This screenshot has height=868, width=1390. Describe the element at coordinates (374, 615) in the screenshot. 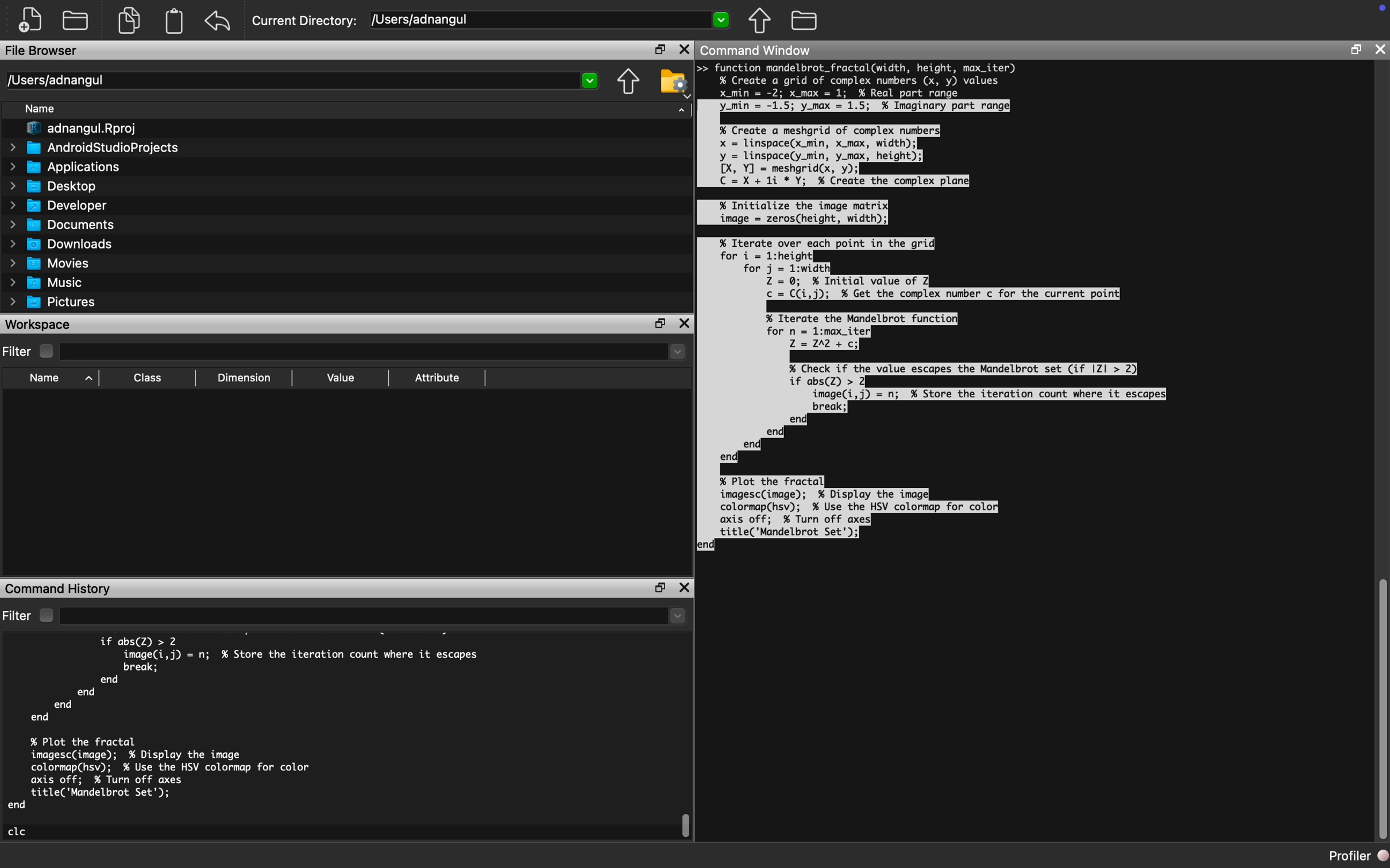

I see `Dropdown` at that location.